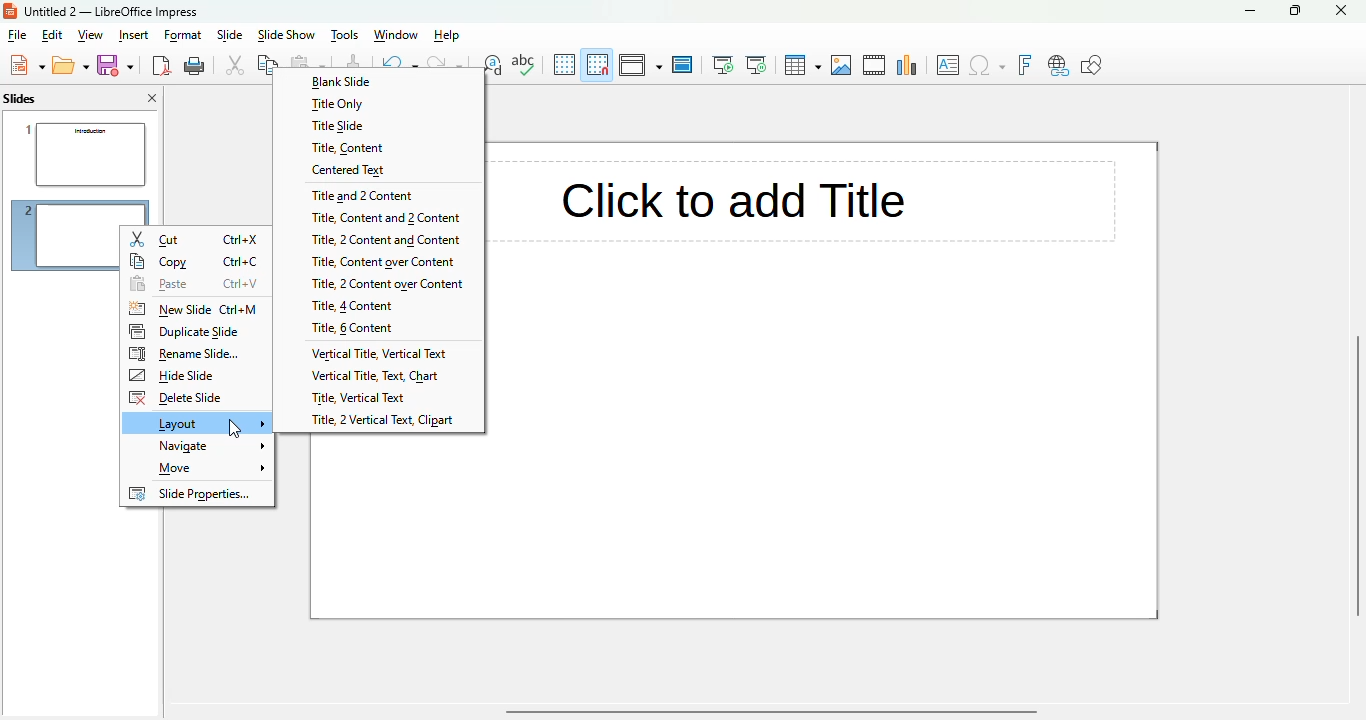 The height and width of the screenshot is (720, 1366). What do you see at coordinates (1091, 64) in the screenshot?
I see `show draw functions` at bounding box center [1091, 64].